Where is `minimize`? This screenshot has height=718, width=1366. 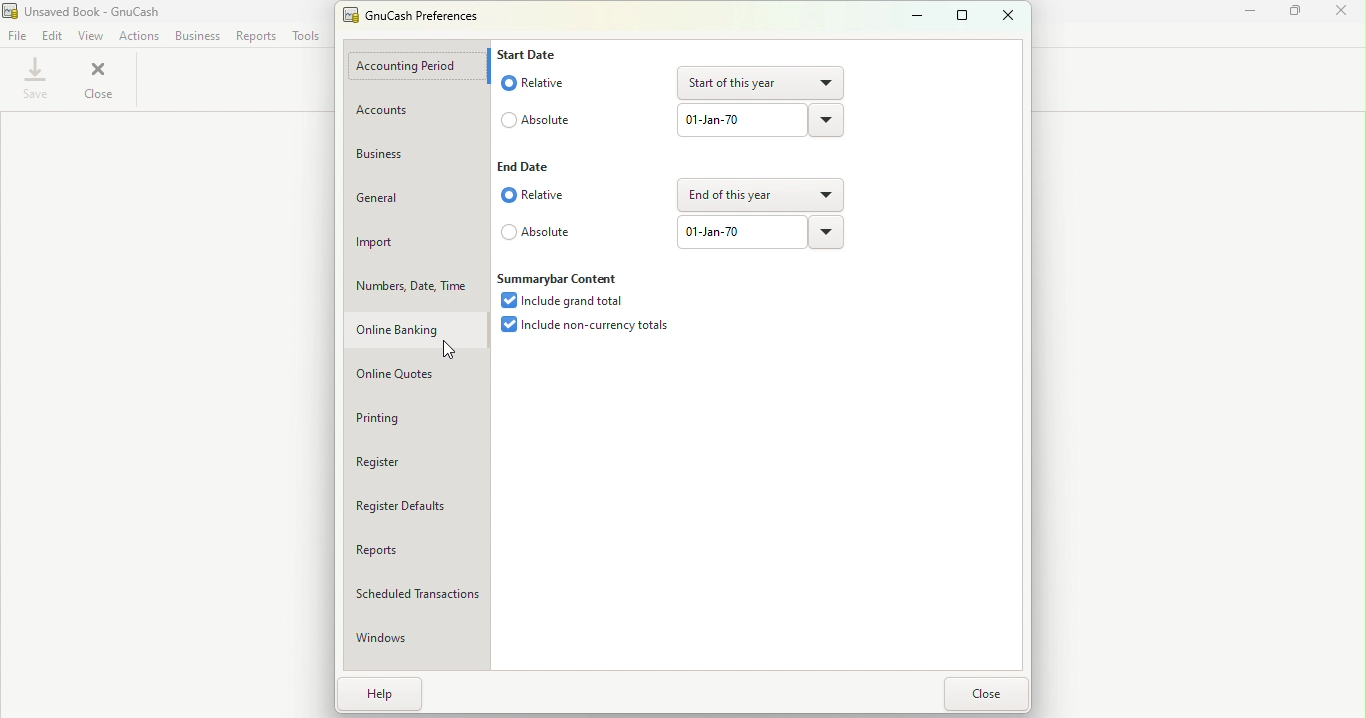
minimize is located at coordinates (919, 17).